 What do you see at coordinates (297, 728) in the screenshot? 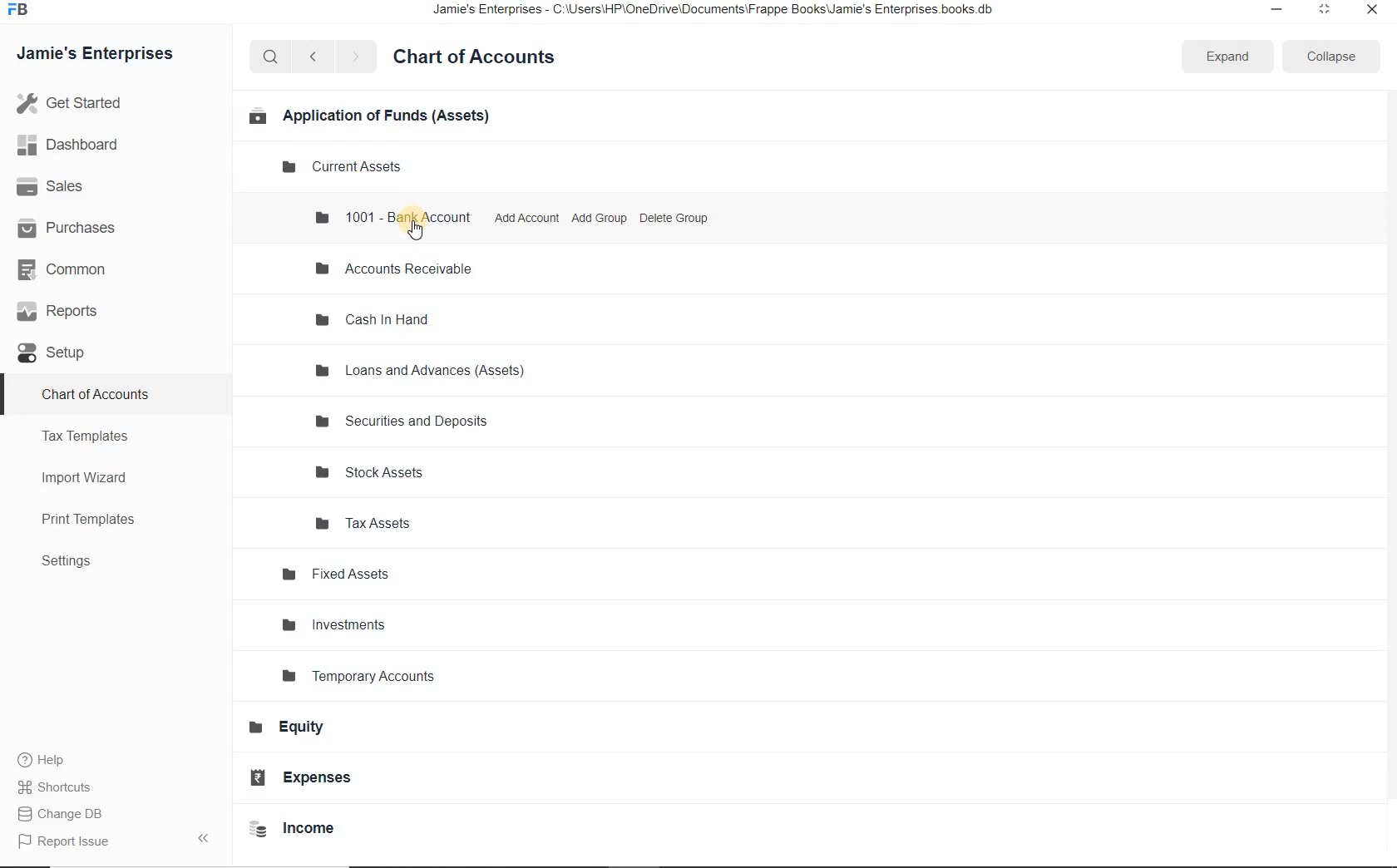
I see `Equity` at bounding box center [297, 728].